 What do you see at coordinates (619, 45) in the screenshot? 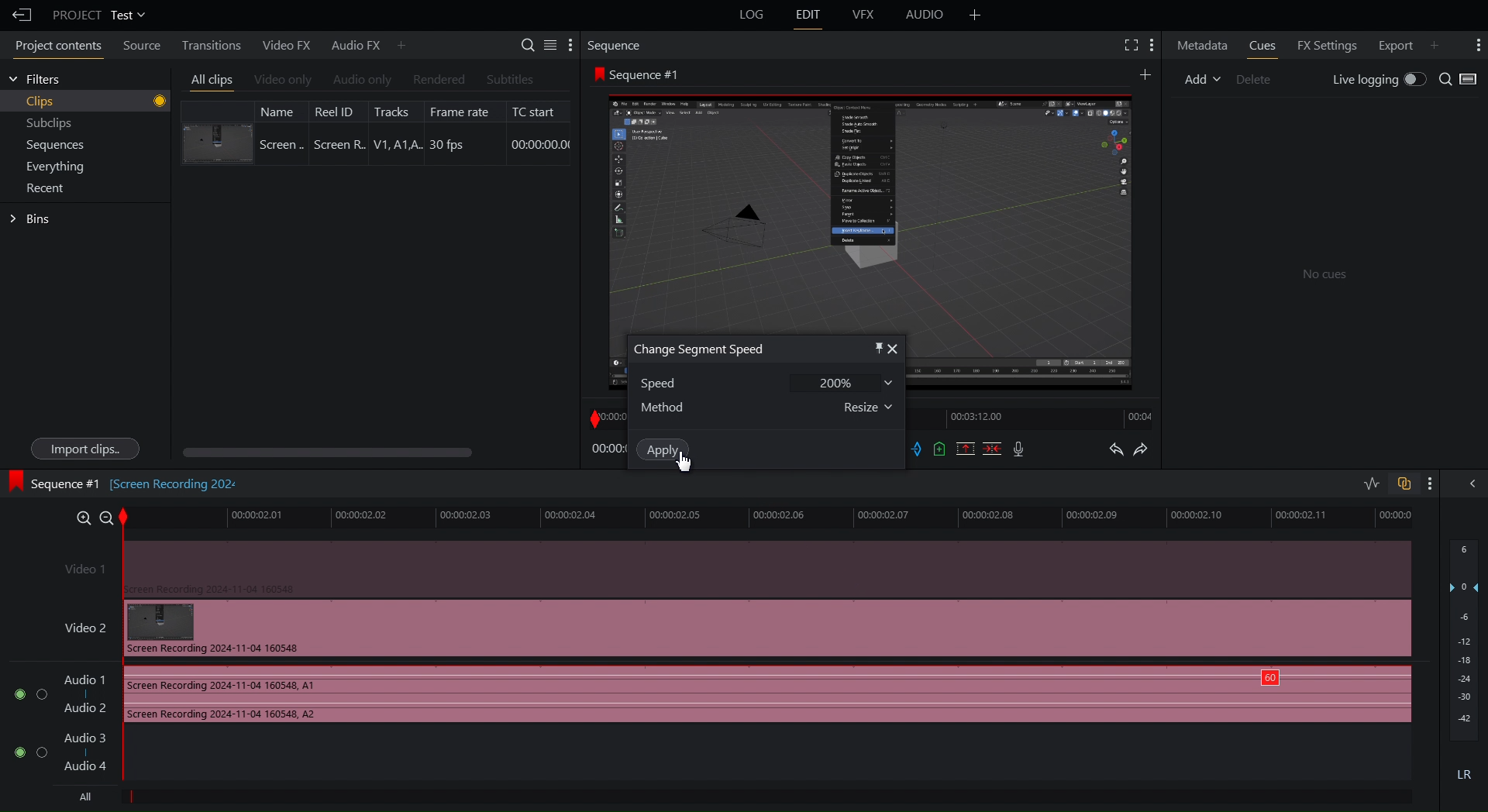
I see `Sequence` at bounding box center [619, 45].